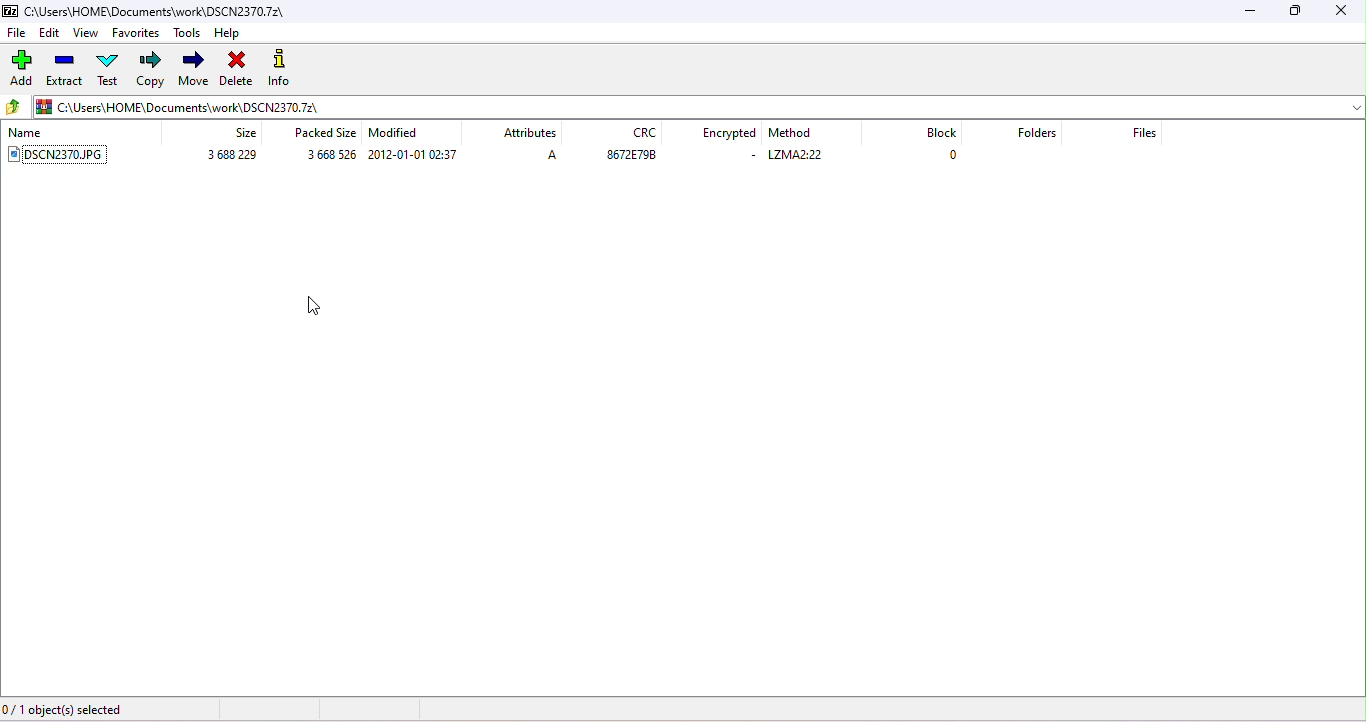 The image size is (1366, 722). Describe the element at coordinates (400, 130) in the screenshot. I see `modification date` at that location.